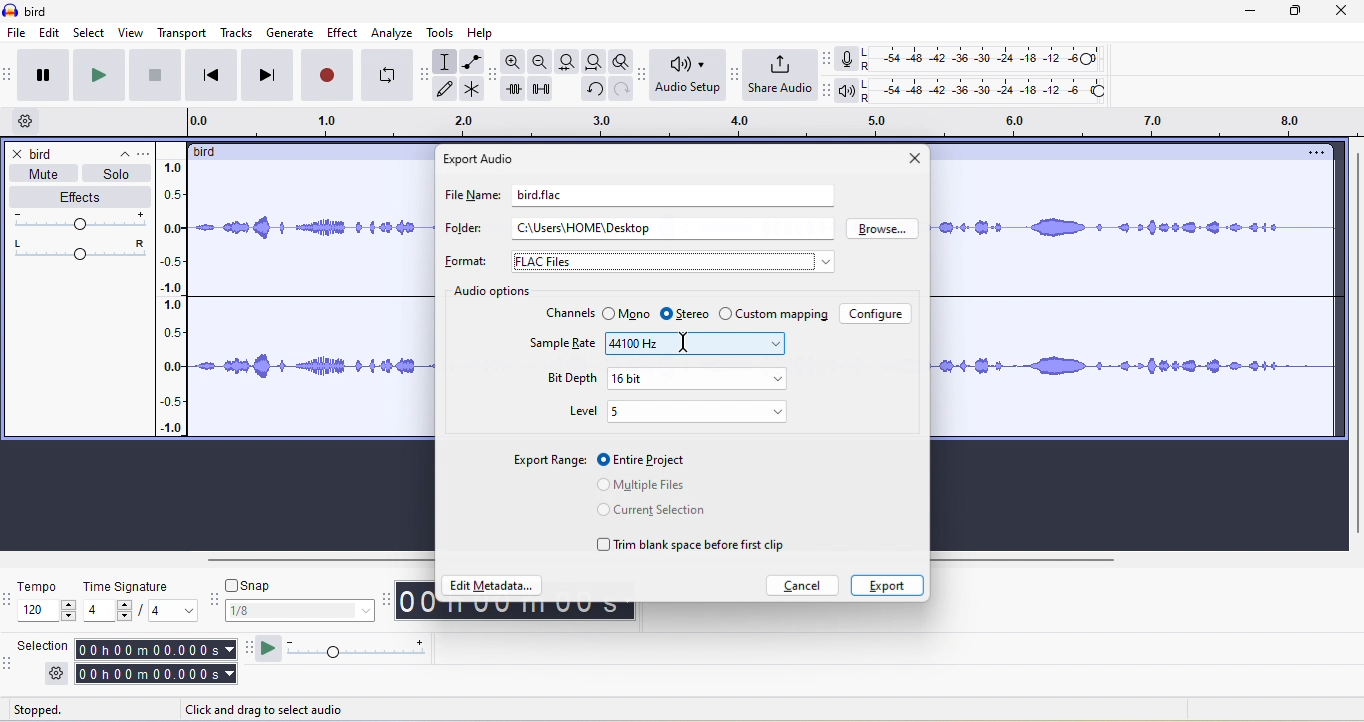  I want to click on vertical scroll bar, so click(1352, 344).